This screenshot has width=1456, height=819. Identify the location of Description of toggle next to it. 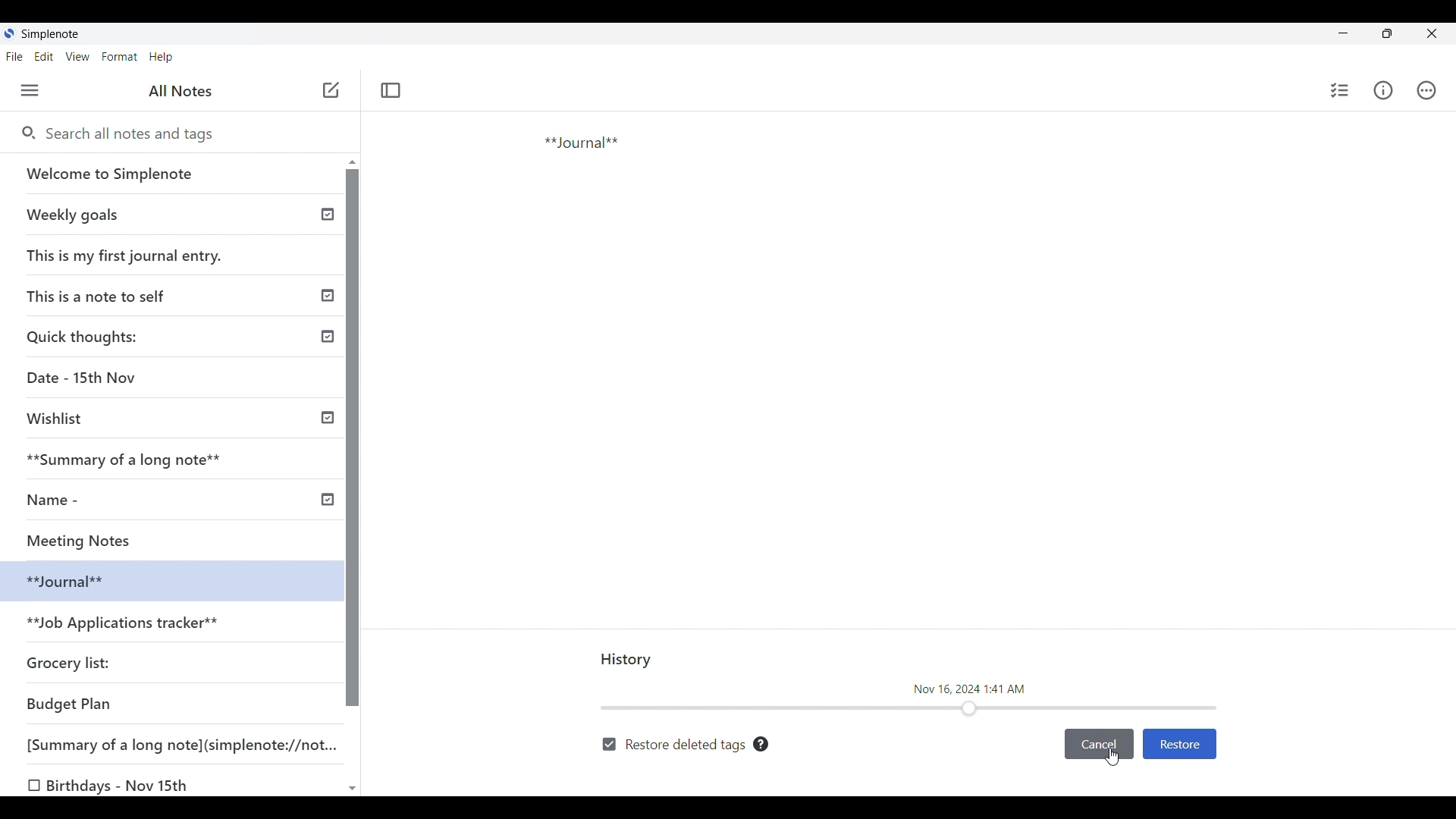
(761, 744).